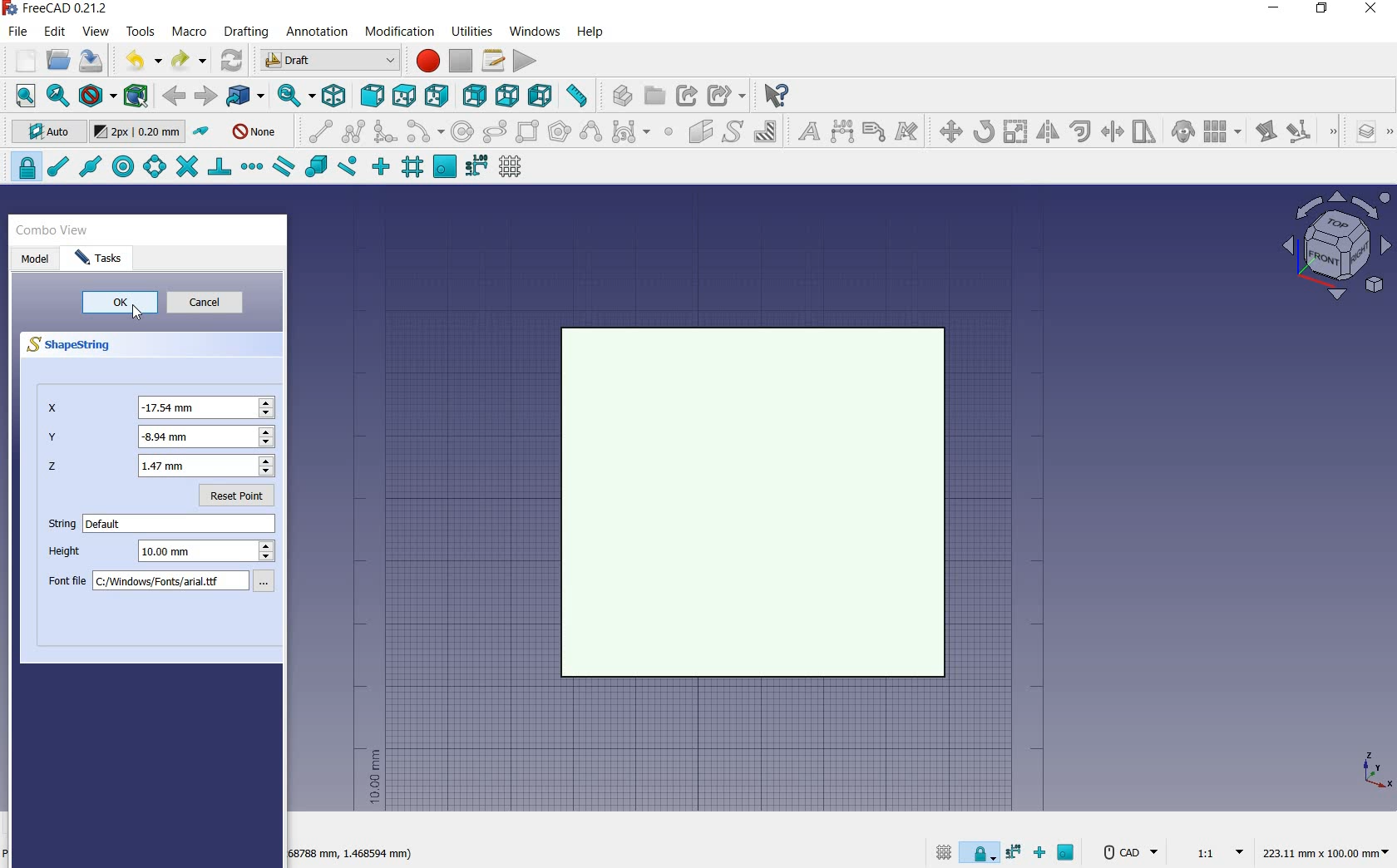  Describe the element at coordinates (142, 60) in the screenshot. I see `undo` at that location.